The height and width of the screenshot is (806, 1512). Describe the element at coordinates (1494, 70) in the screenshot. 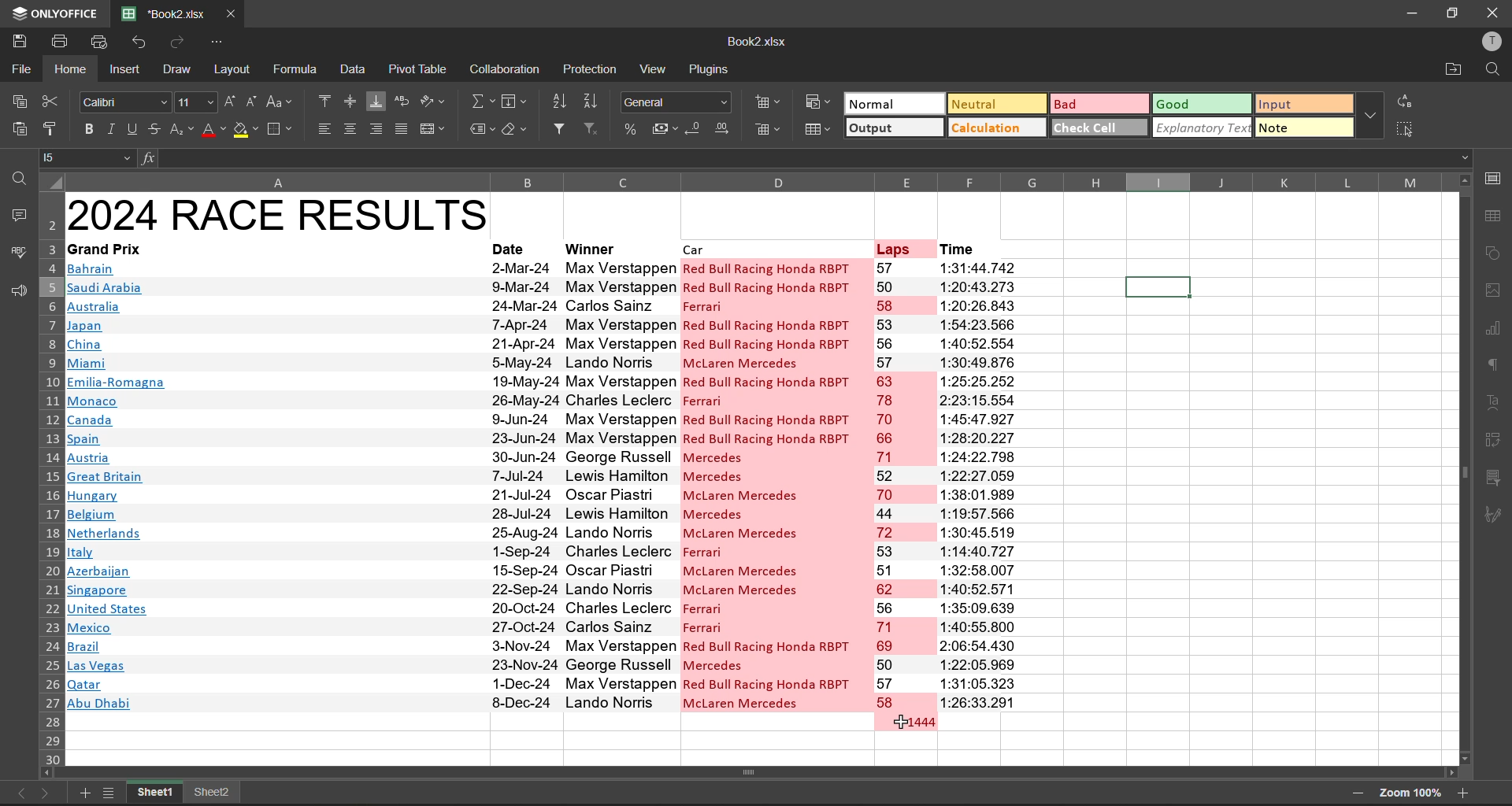

I see `find` at that location.